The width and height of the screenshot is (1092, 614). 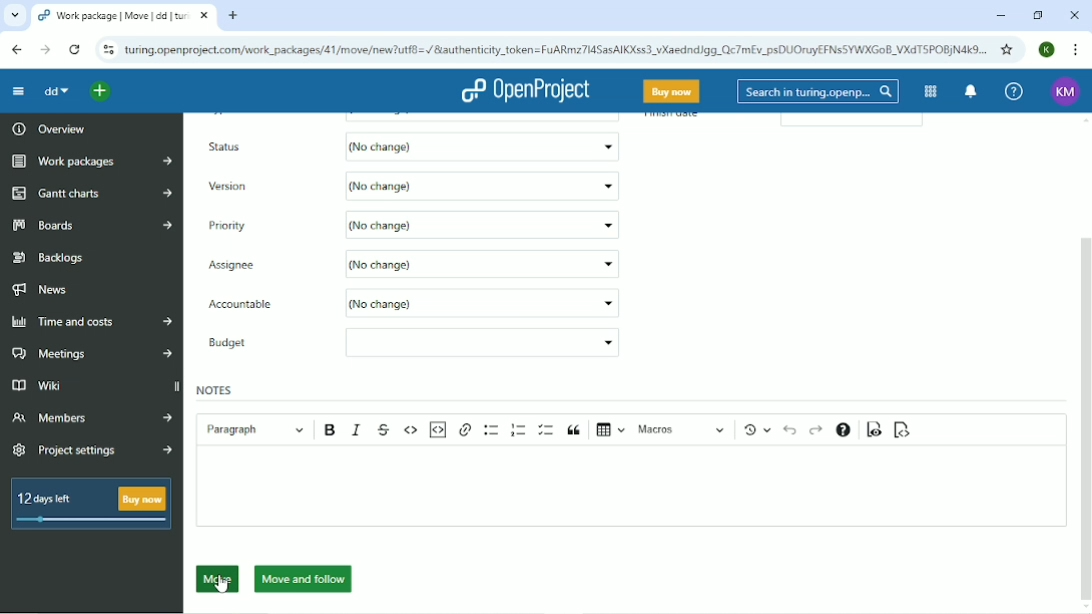 What do you see at coordinates (254, 433) in the screenshot?
I see `Paragraph` at bounding box center [254, 433].